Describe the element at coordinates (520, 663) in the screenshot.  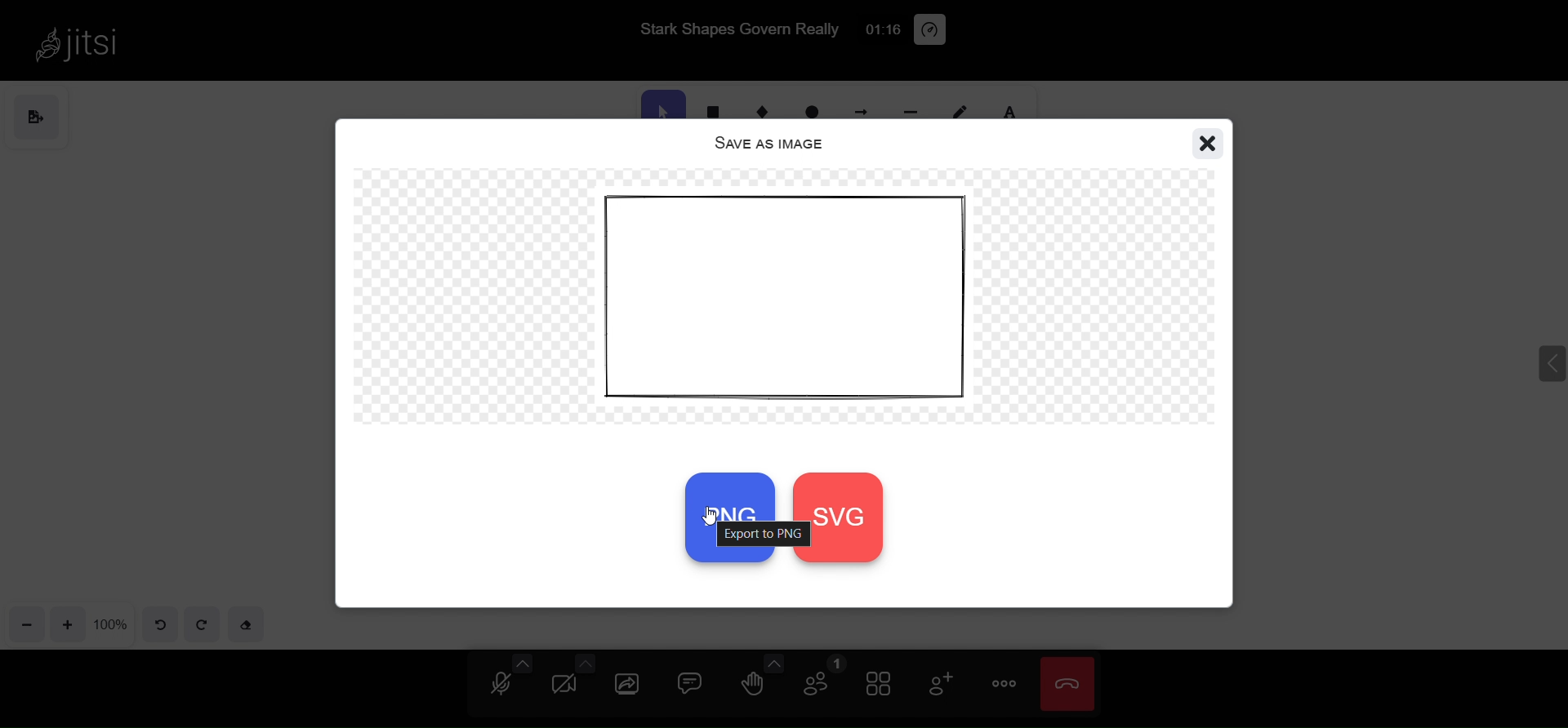
I see `more audio option` at that location.